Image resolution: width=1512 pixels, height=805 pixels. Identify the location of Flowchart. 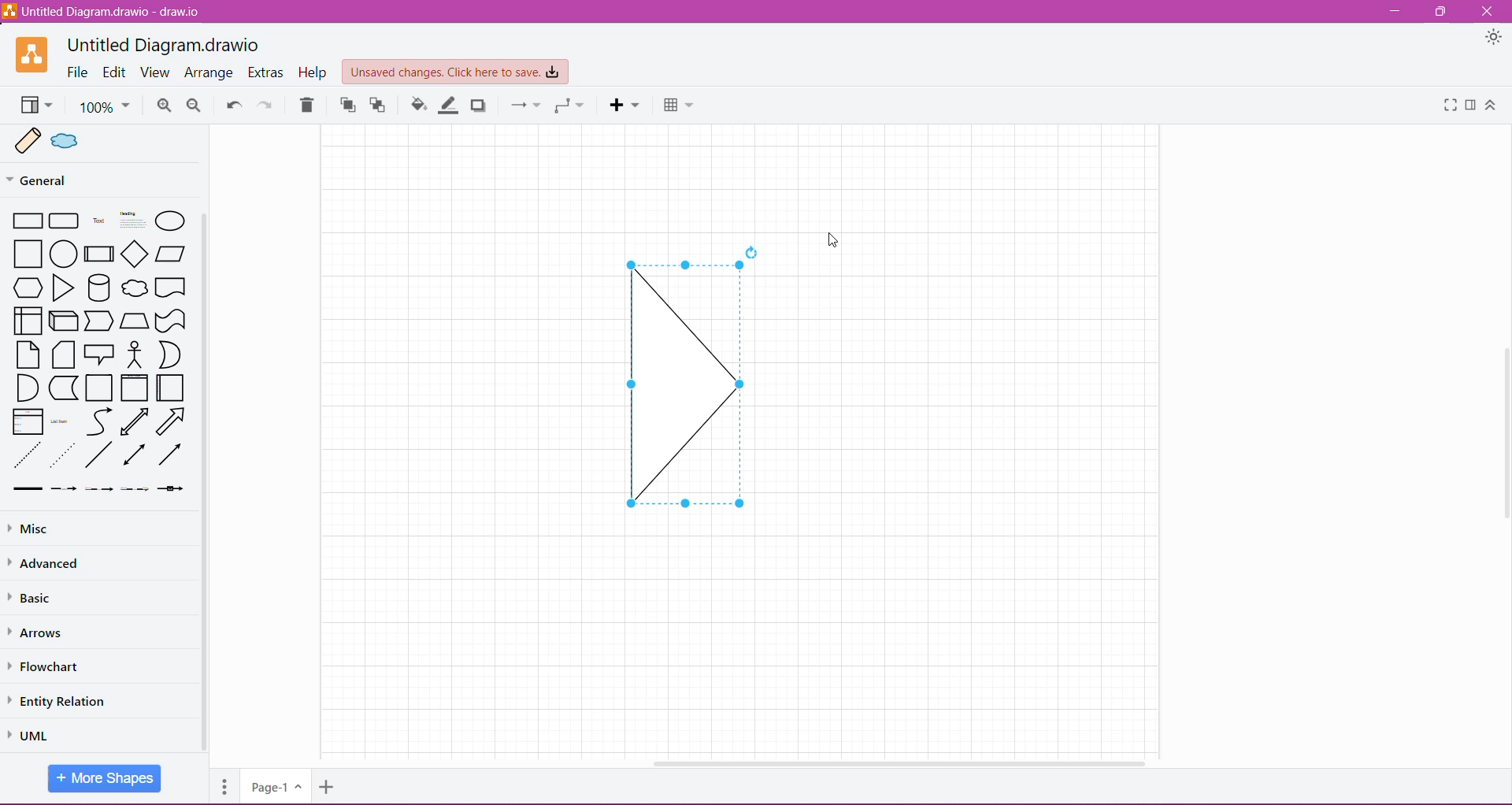
(45, 667).